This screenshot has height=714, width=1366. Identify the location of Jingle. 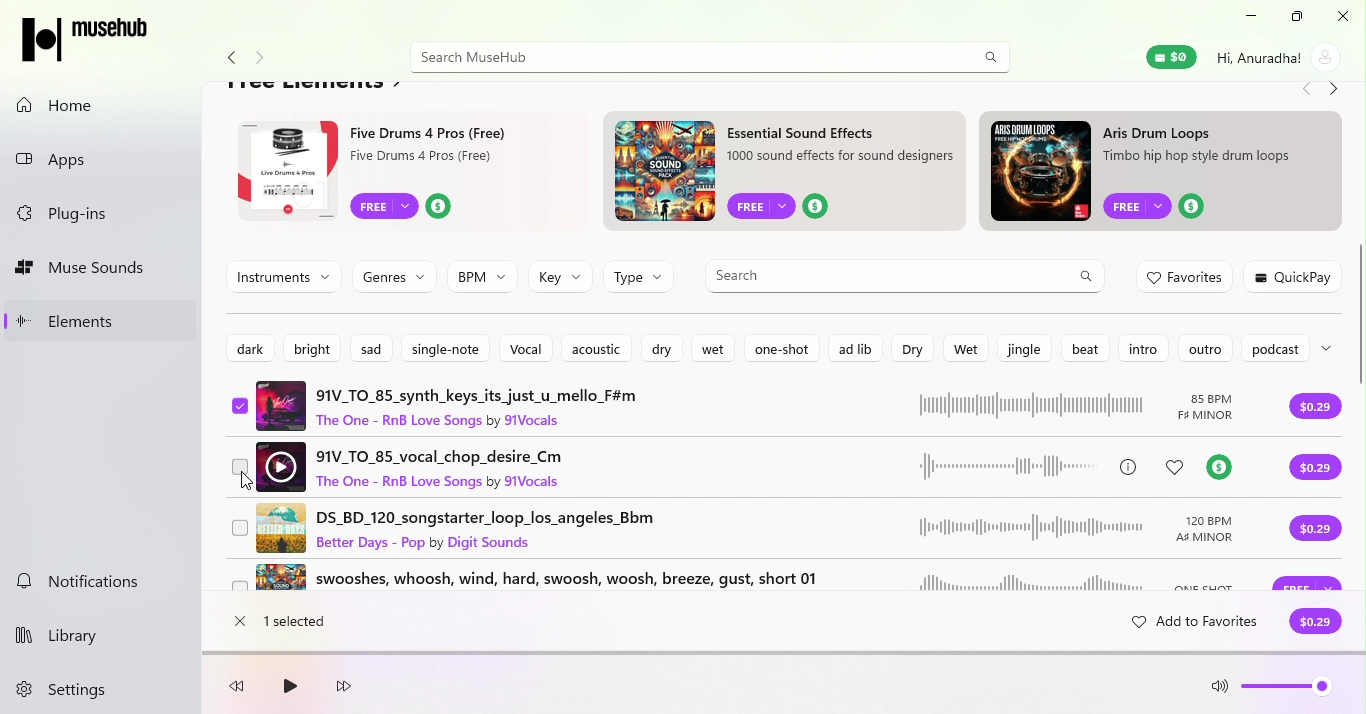
(1022, 348).